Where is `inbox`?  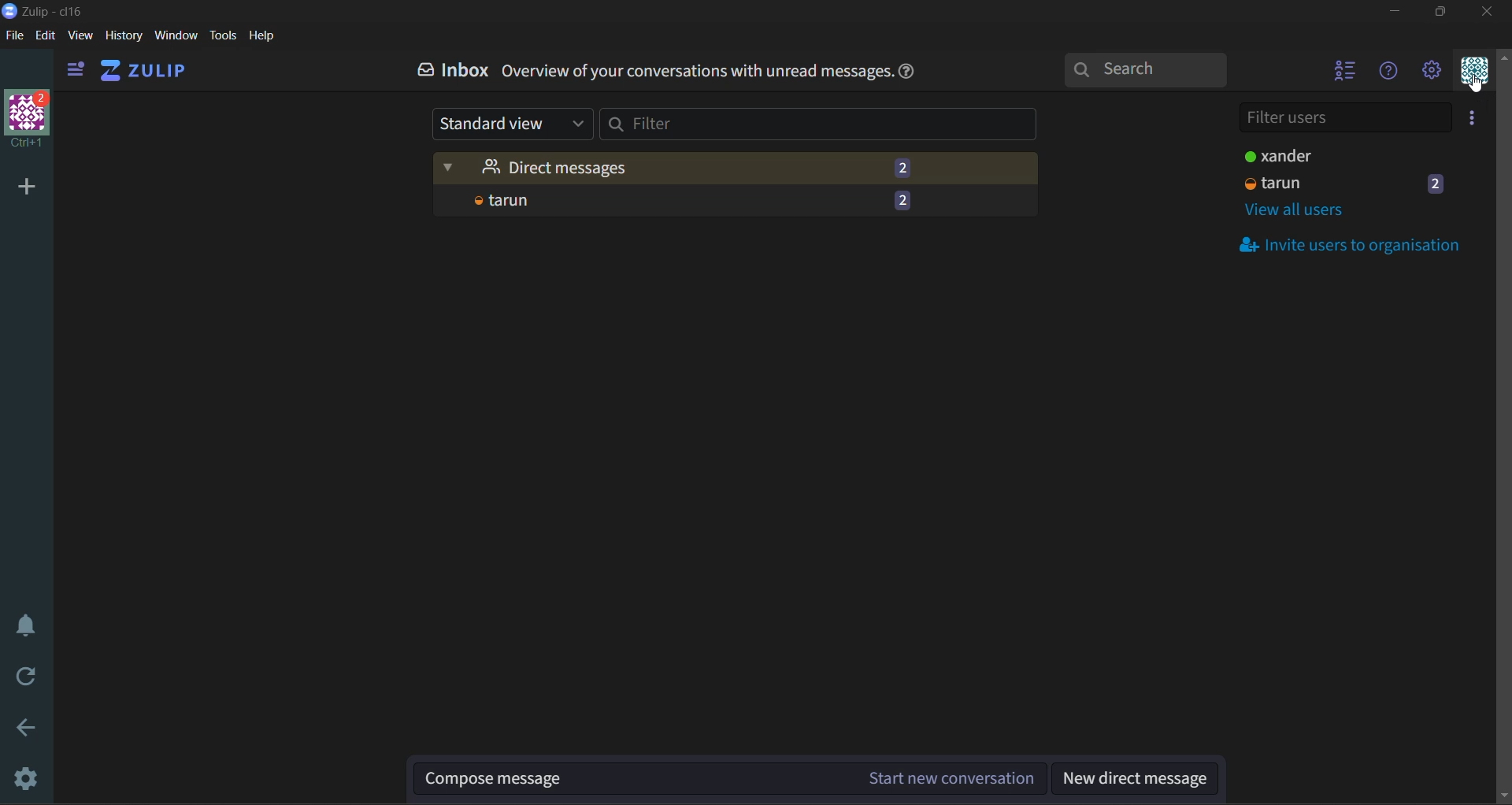
inbox is located at coordinates (448, 72).